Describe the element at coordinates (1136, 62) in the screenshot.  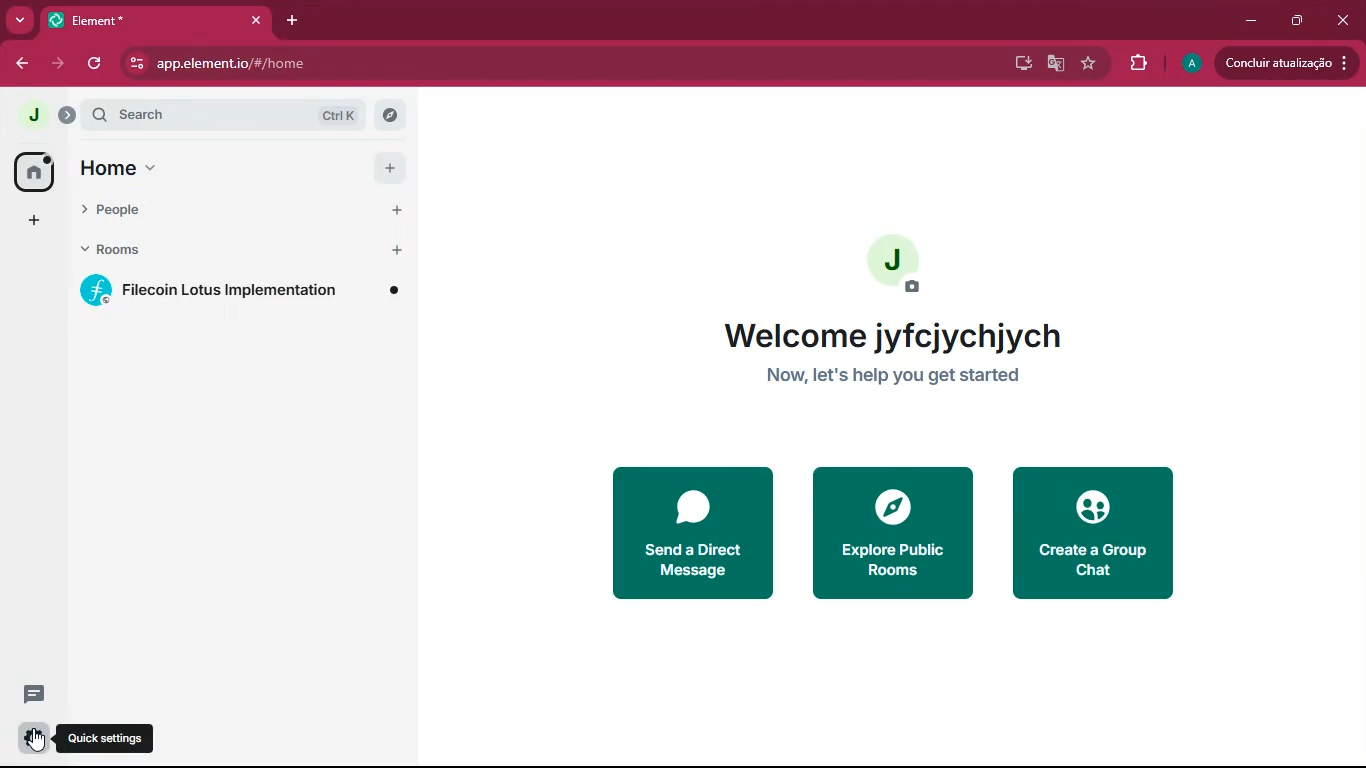
I see `extensions` at that location.